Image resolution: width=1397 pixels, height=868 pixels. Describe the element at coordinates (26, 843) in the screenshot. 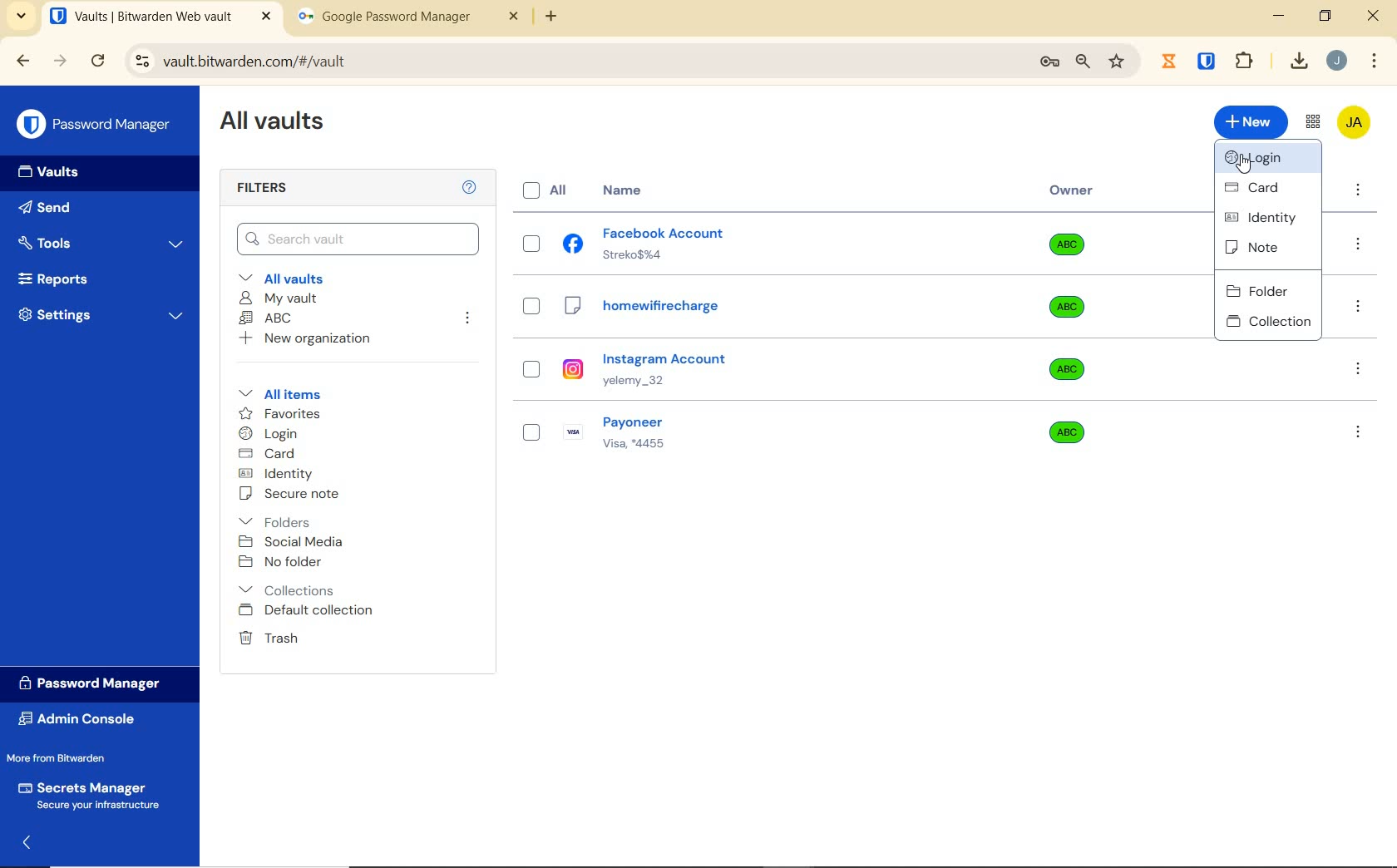

I see `expand/collapse` at that location.